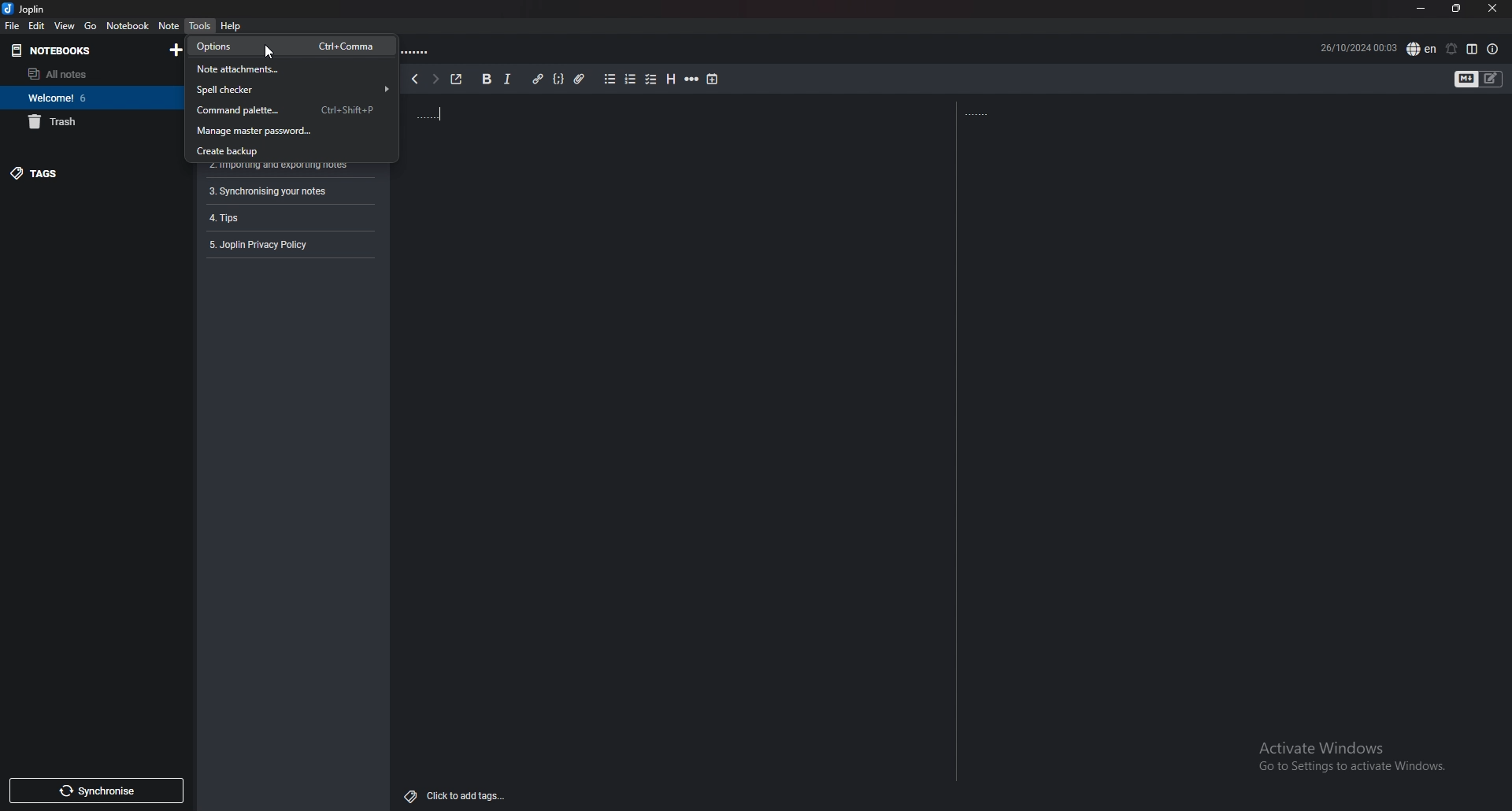 The width and height of the screenshot is (1512, 811). Describe the element at coordinates (287, 131) in the screenshot. I see `manage master password..` at that location.